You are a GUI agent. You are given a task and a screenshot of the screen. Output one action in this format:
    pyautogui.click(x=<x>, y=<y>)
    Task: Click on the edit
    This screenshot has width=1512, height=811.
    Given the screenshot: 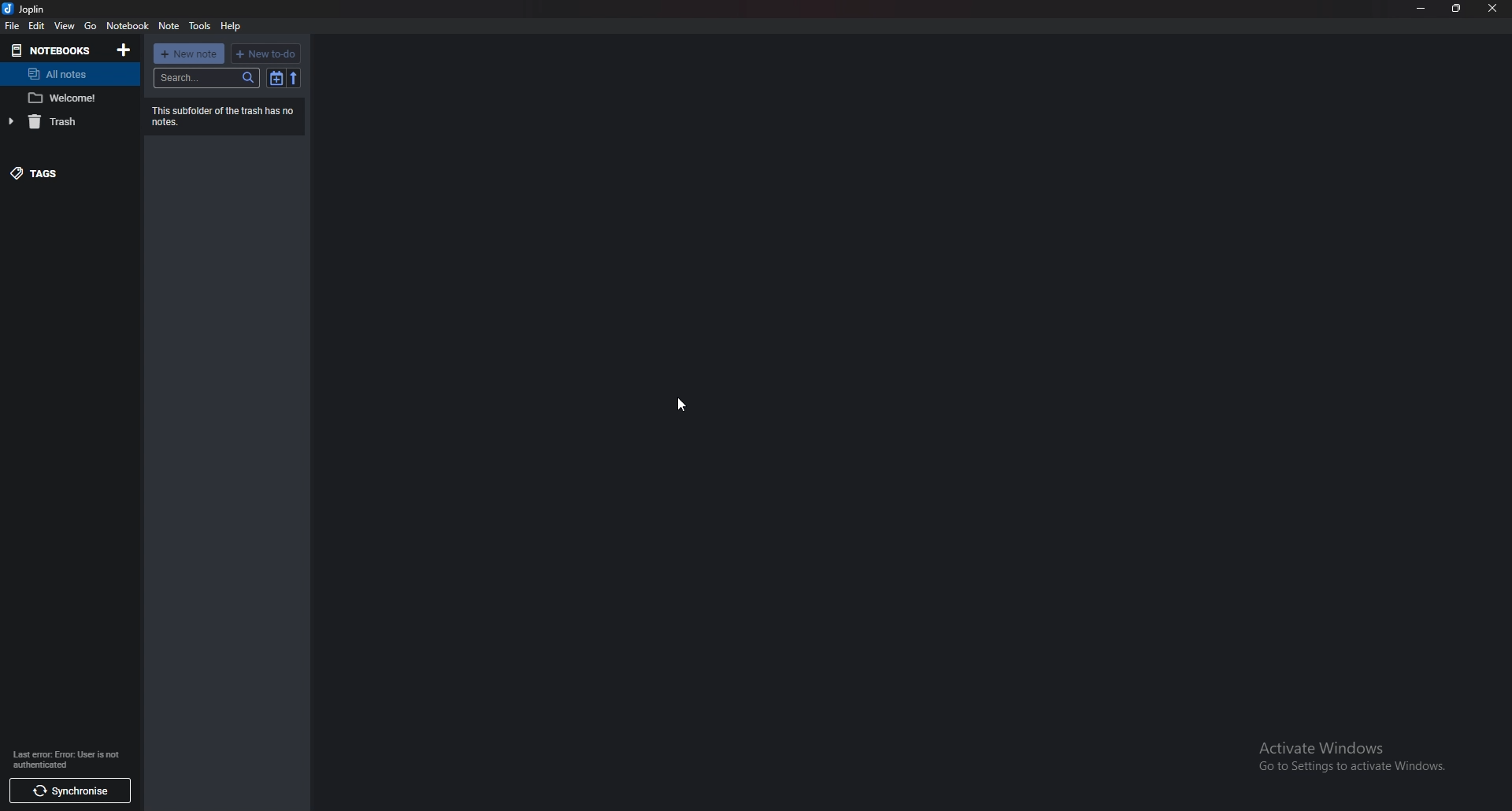 What is the action you would take?
    pyautogui.click(x=37, y=25)
    